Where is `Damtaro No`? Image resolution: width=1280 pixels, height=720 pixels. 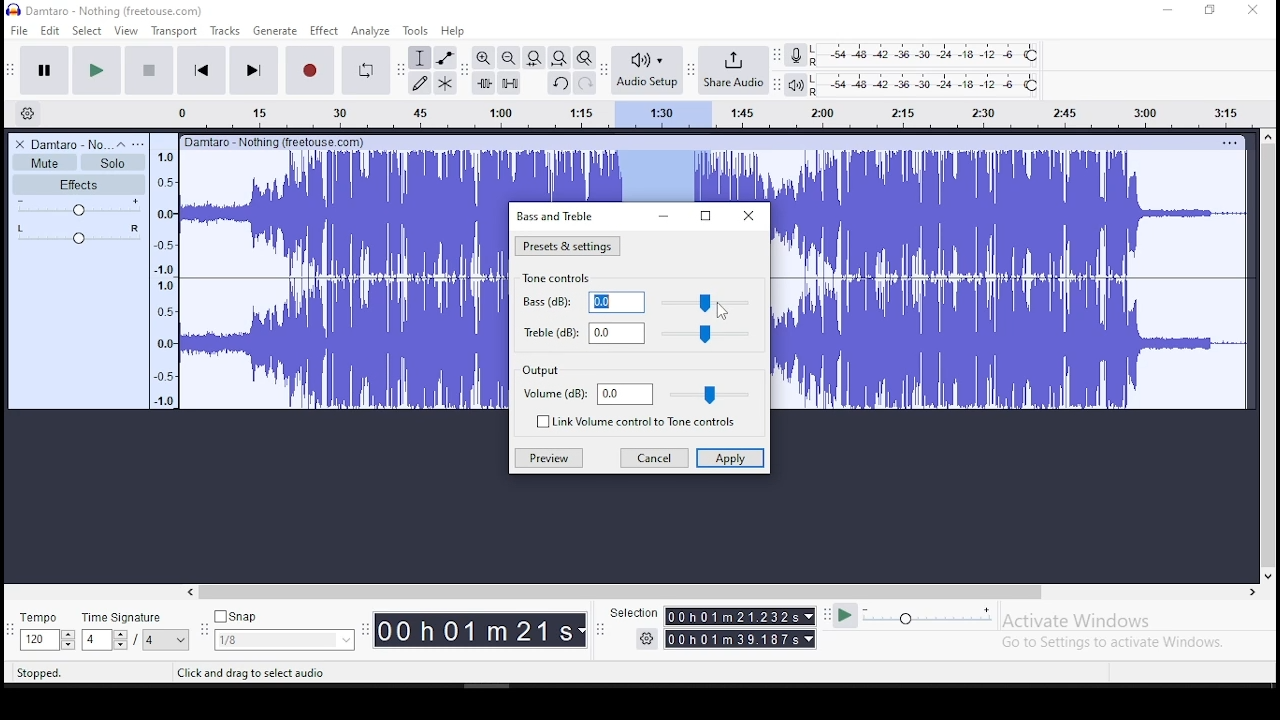
Damtaro No is located at coordinates (70, 144).